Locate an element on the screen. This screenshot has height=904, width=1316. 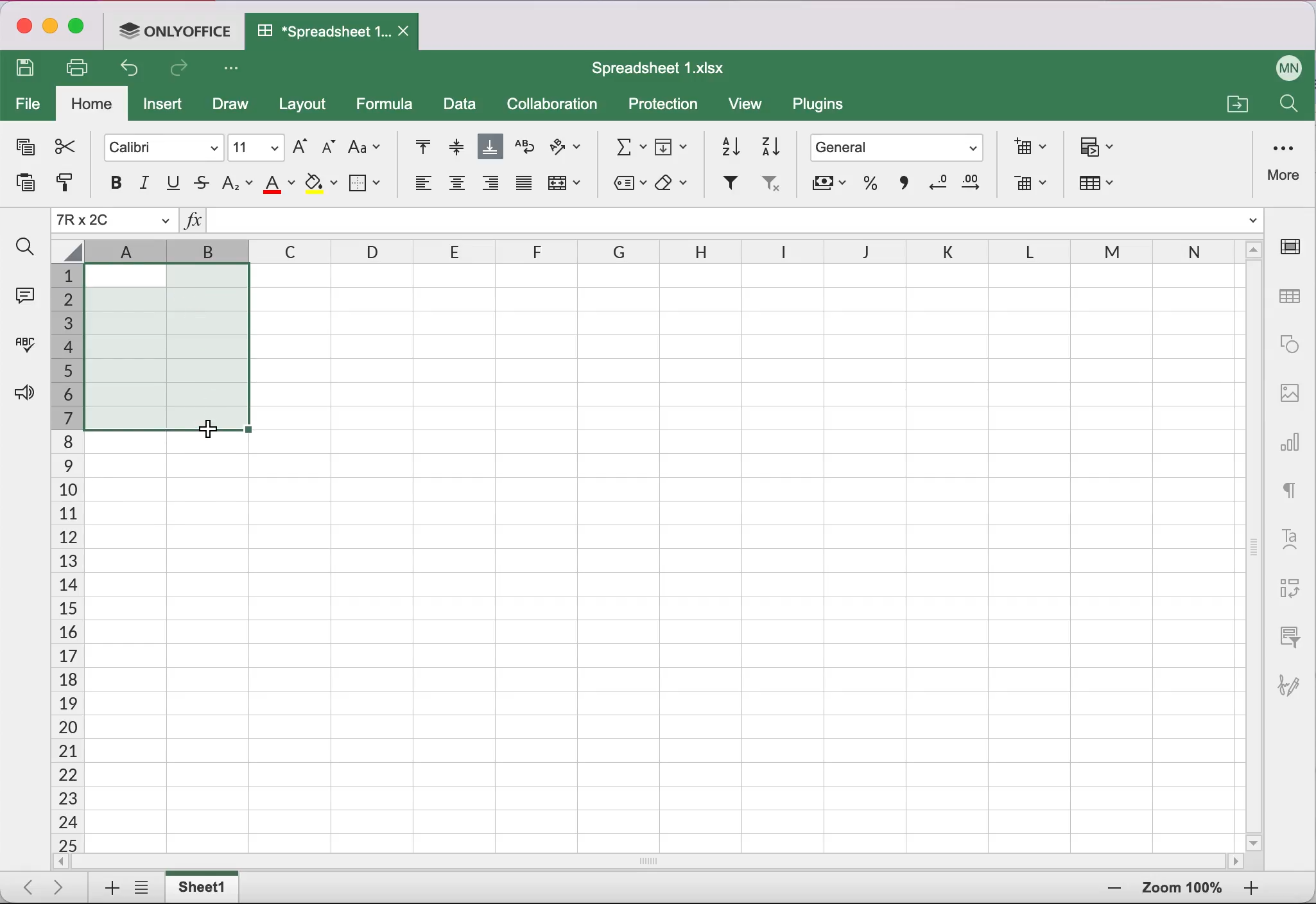
Cursor is located at coordinates (203, 429).